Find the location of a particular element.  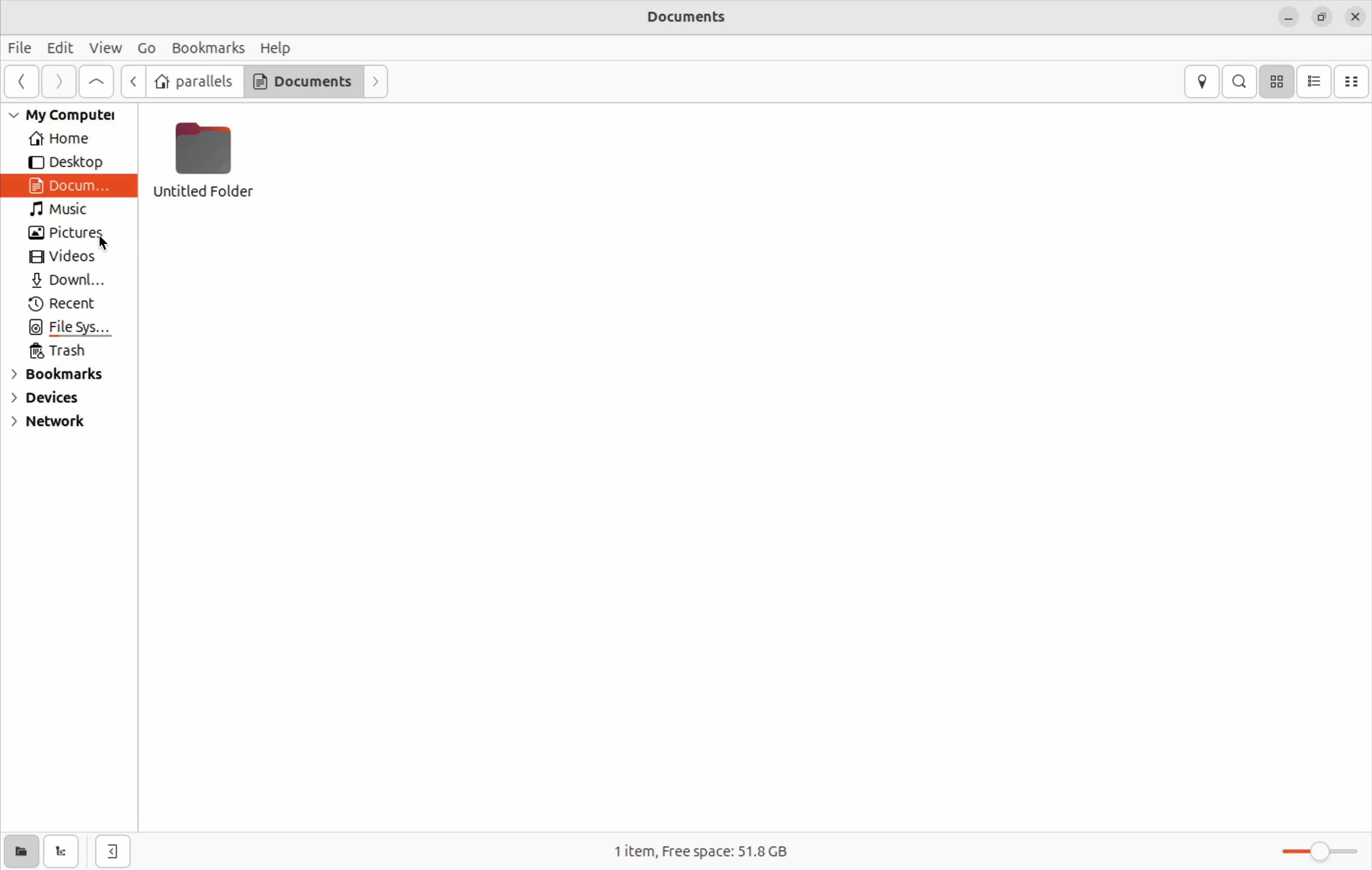

docum... is located at coordinates (71, 185).